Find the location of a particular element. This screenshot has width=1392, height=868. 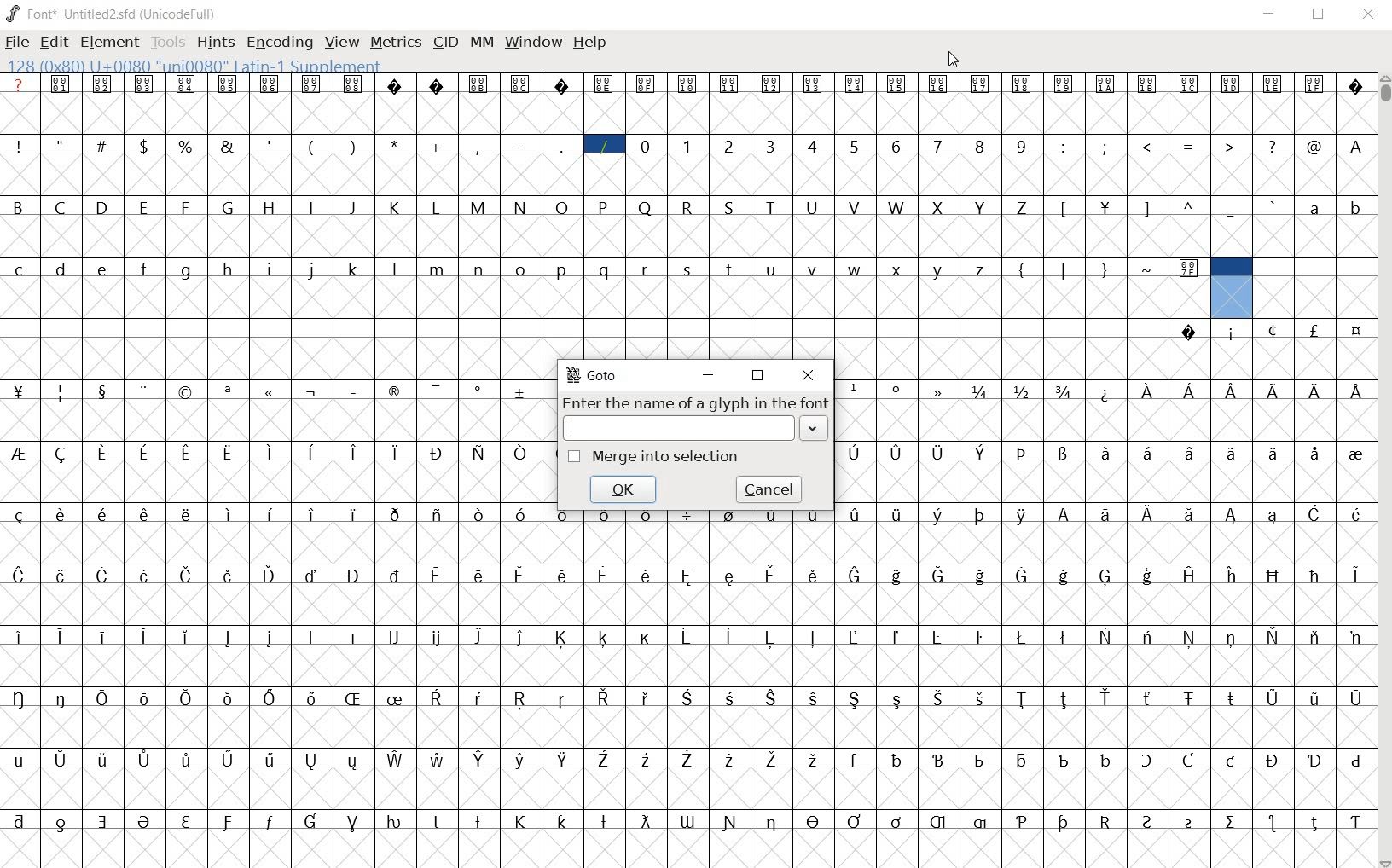

Symbol is located at coordinates (270, 83).